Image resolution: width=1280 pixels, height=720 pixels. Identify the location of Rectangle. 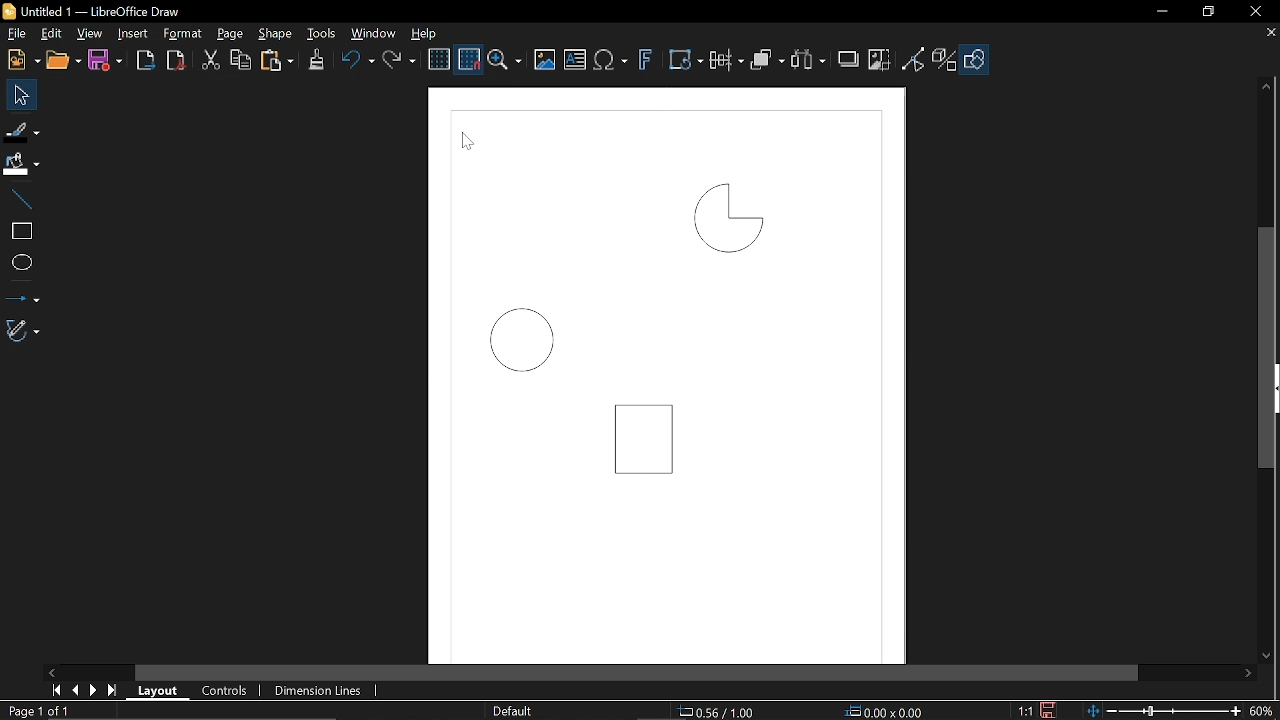
(648, 437).